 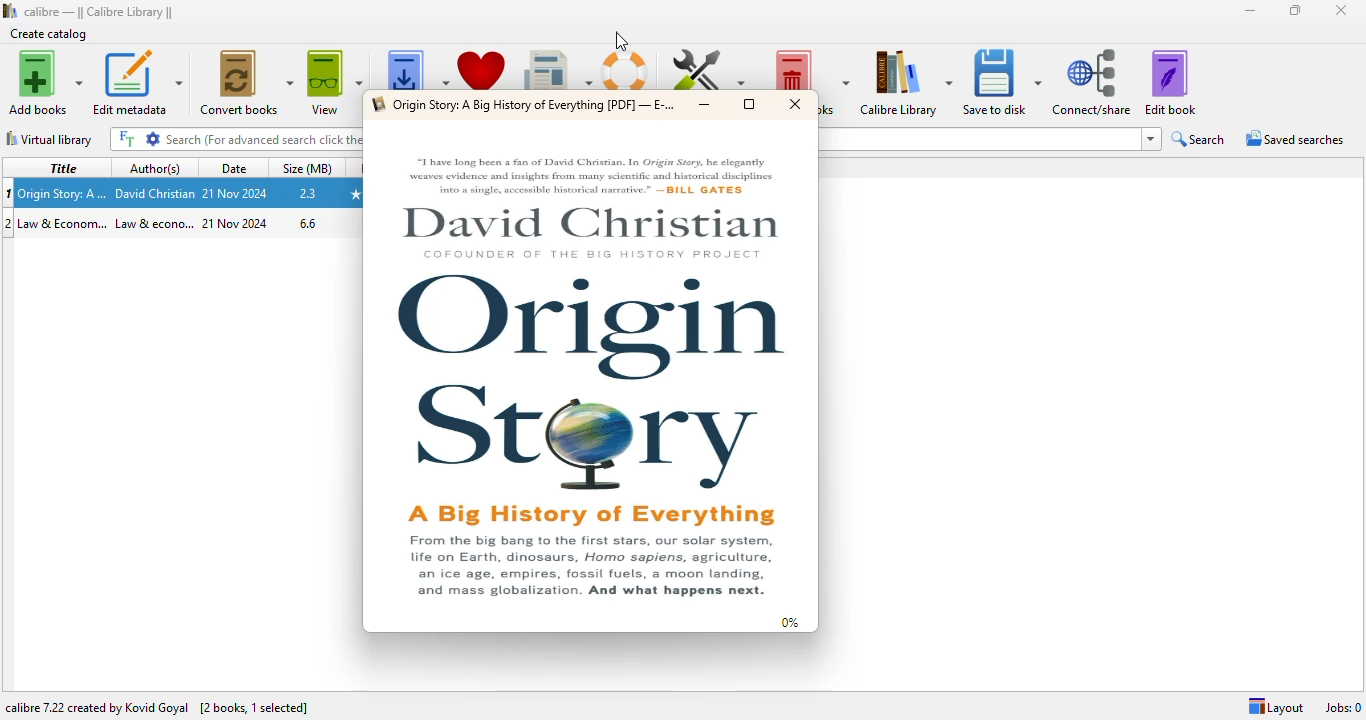 What do you see at coordinates (592, 513) in the screenshot?
I see `A big history of everything` at bounding box center [592, 513].